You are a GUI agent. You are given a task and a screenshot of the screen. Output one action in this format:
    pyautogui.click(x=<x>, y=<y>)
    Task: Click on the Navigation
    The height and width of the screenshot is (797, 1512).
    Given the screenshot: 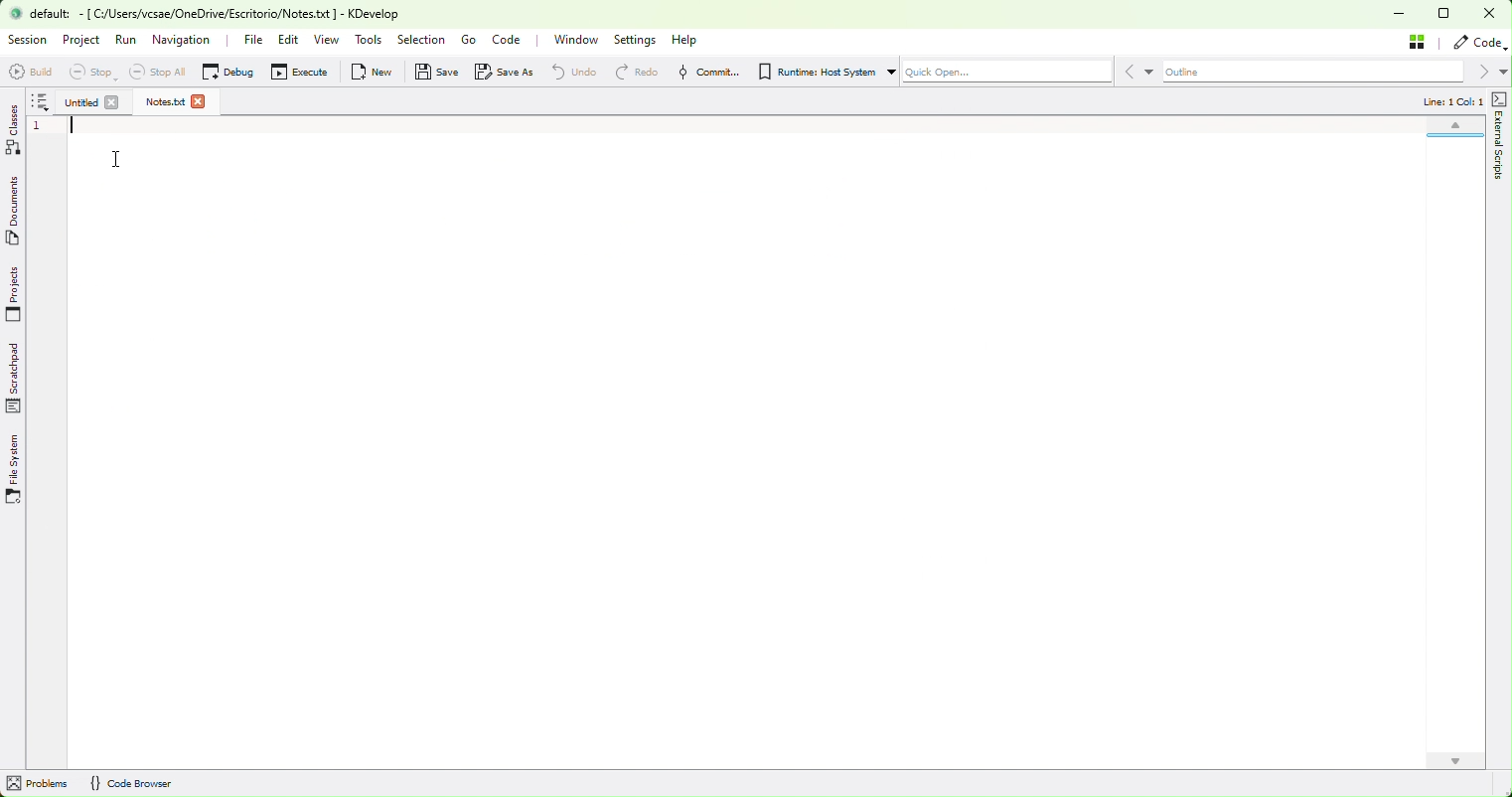 What is the action you would take?
    pyautogui.click(x=181, y=42)
    